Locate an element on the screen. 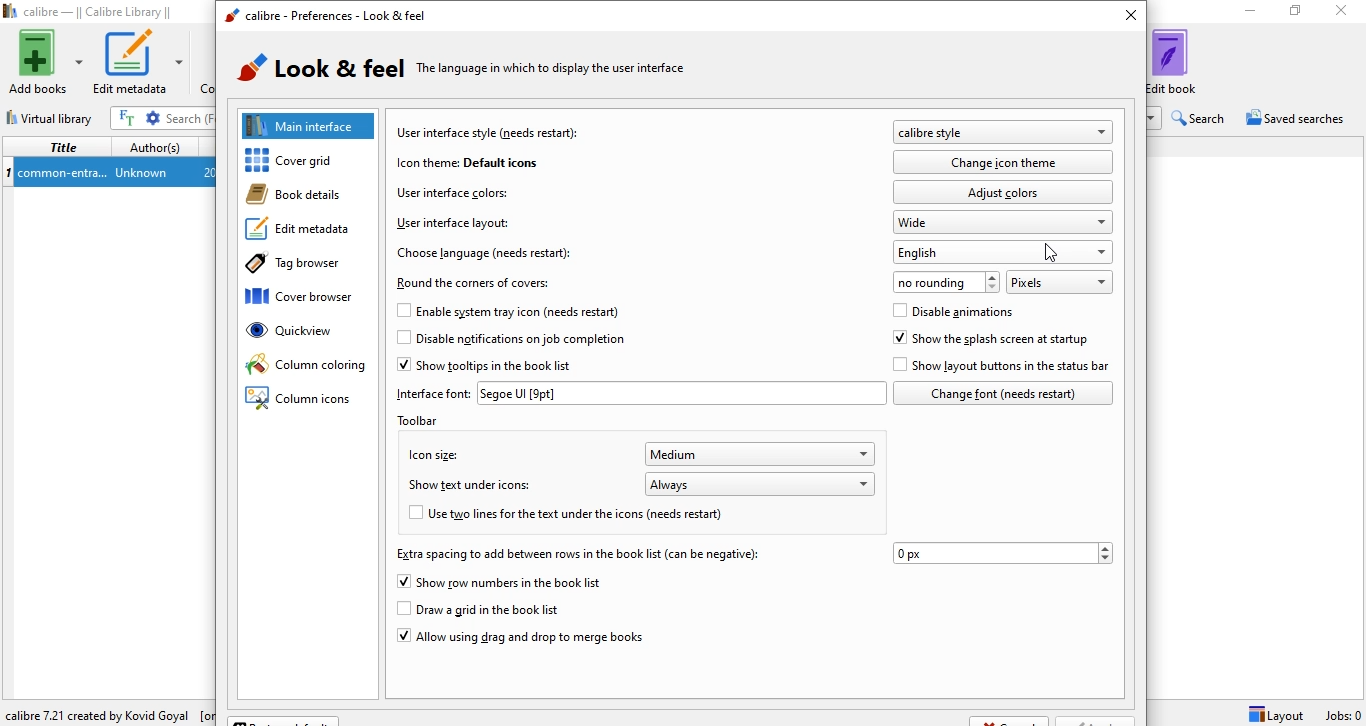 The height and width of the screenshot is (726, 1366). disable animations is located at coordinates (954, 313).